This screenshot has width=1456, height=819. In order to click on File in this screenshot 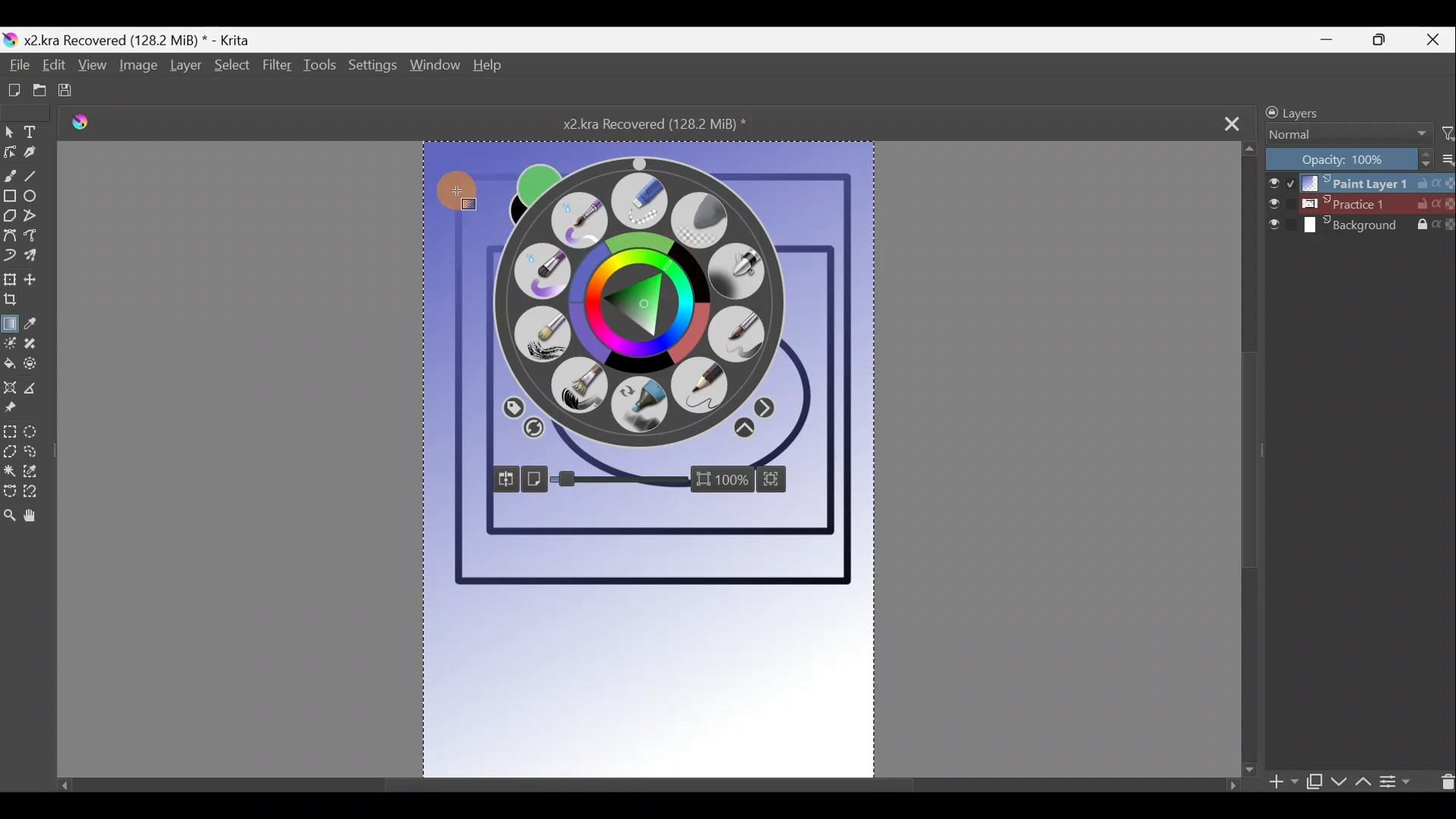, I will do `click(17, 66)`.